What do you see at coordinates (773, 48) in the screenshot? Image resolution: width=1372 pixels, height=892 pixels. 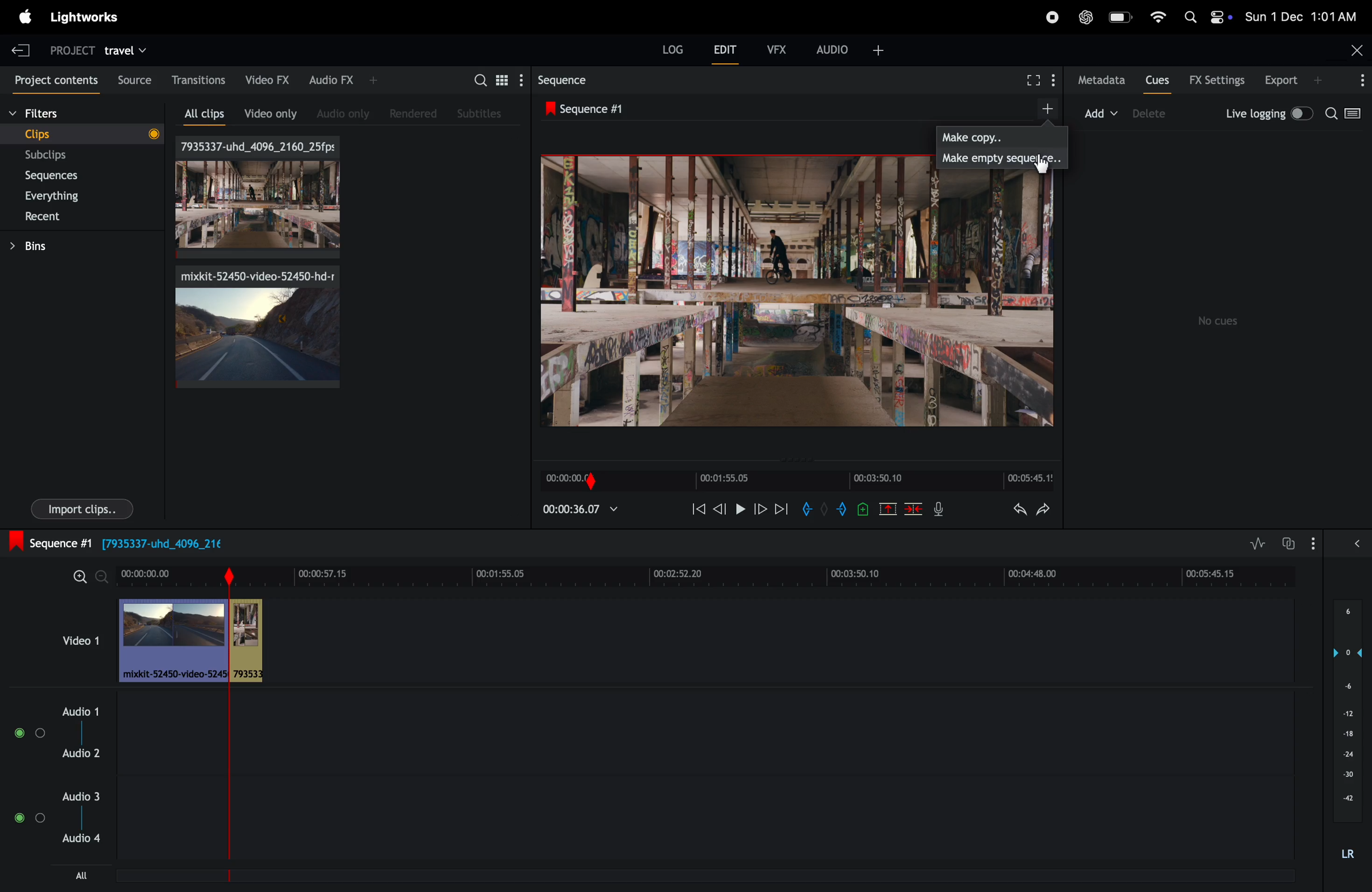 I see `vfx` at bounding box center [773, 48].